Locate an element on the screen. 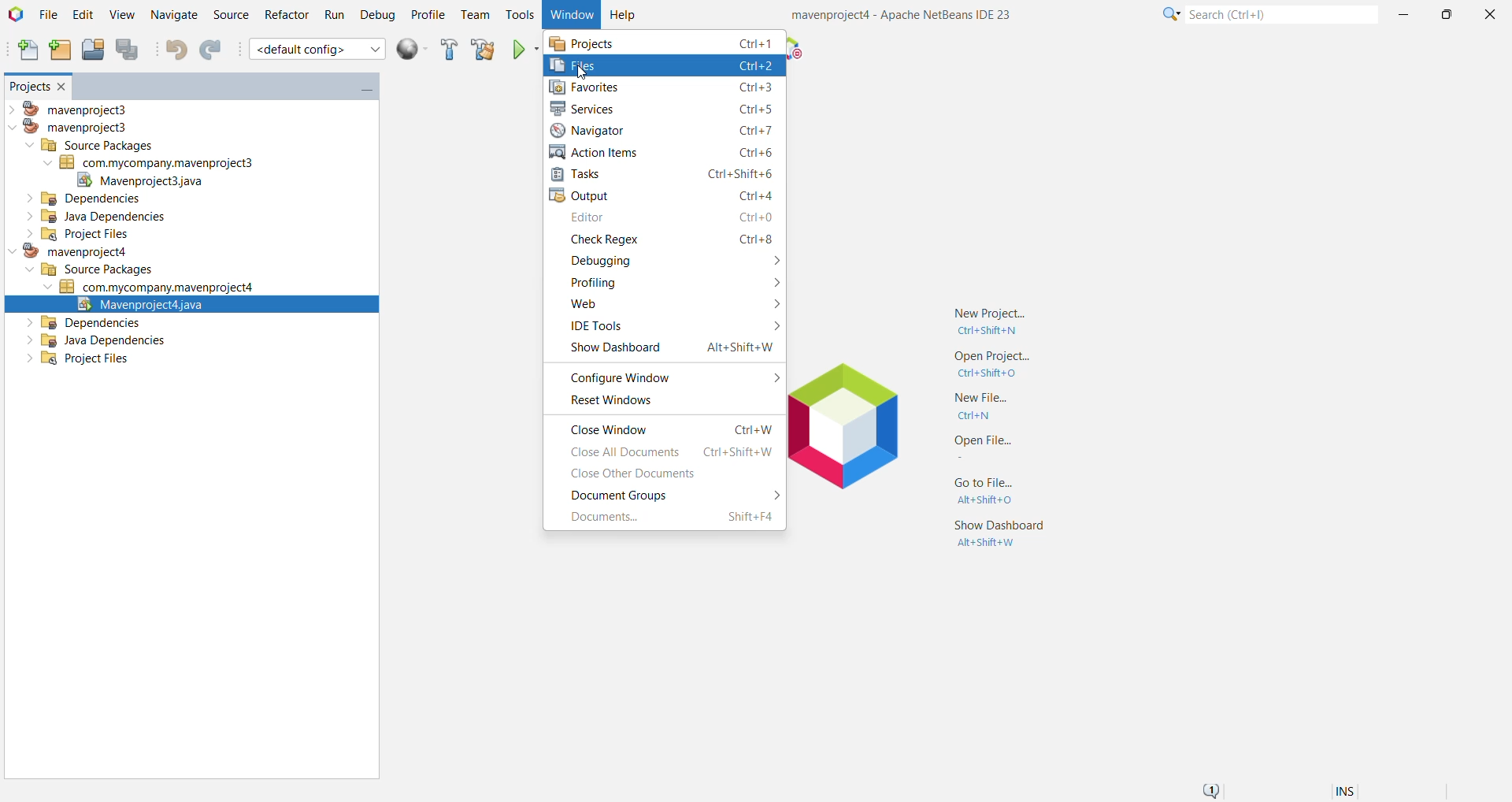  Jave Source Package (com.mycompany.mavenproject4) is located at coordinates (155, 287).